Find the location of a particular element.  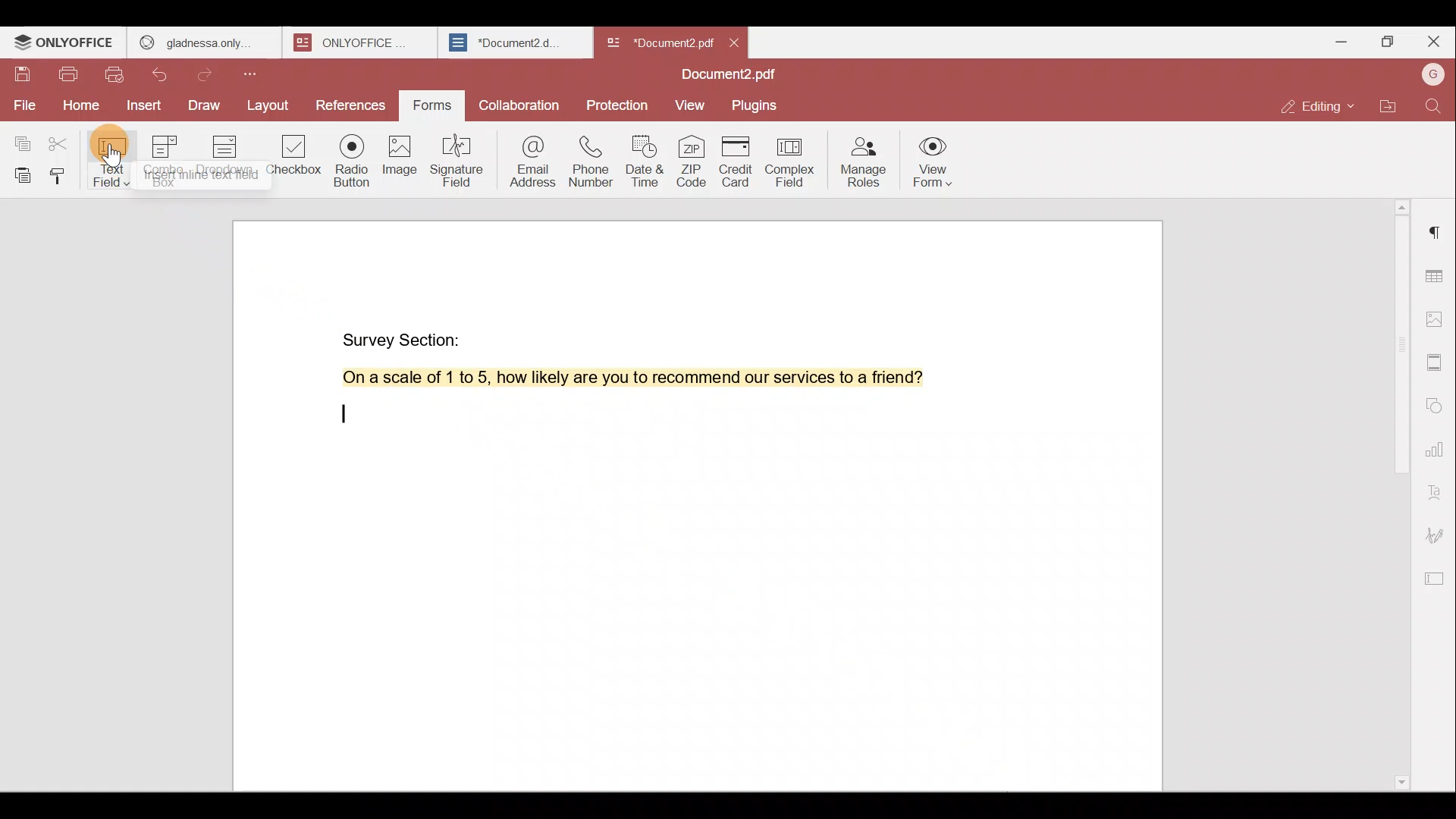

Shapes settings is located at coordinates (1436, 402).